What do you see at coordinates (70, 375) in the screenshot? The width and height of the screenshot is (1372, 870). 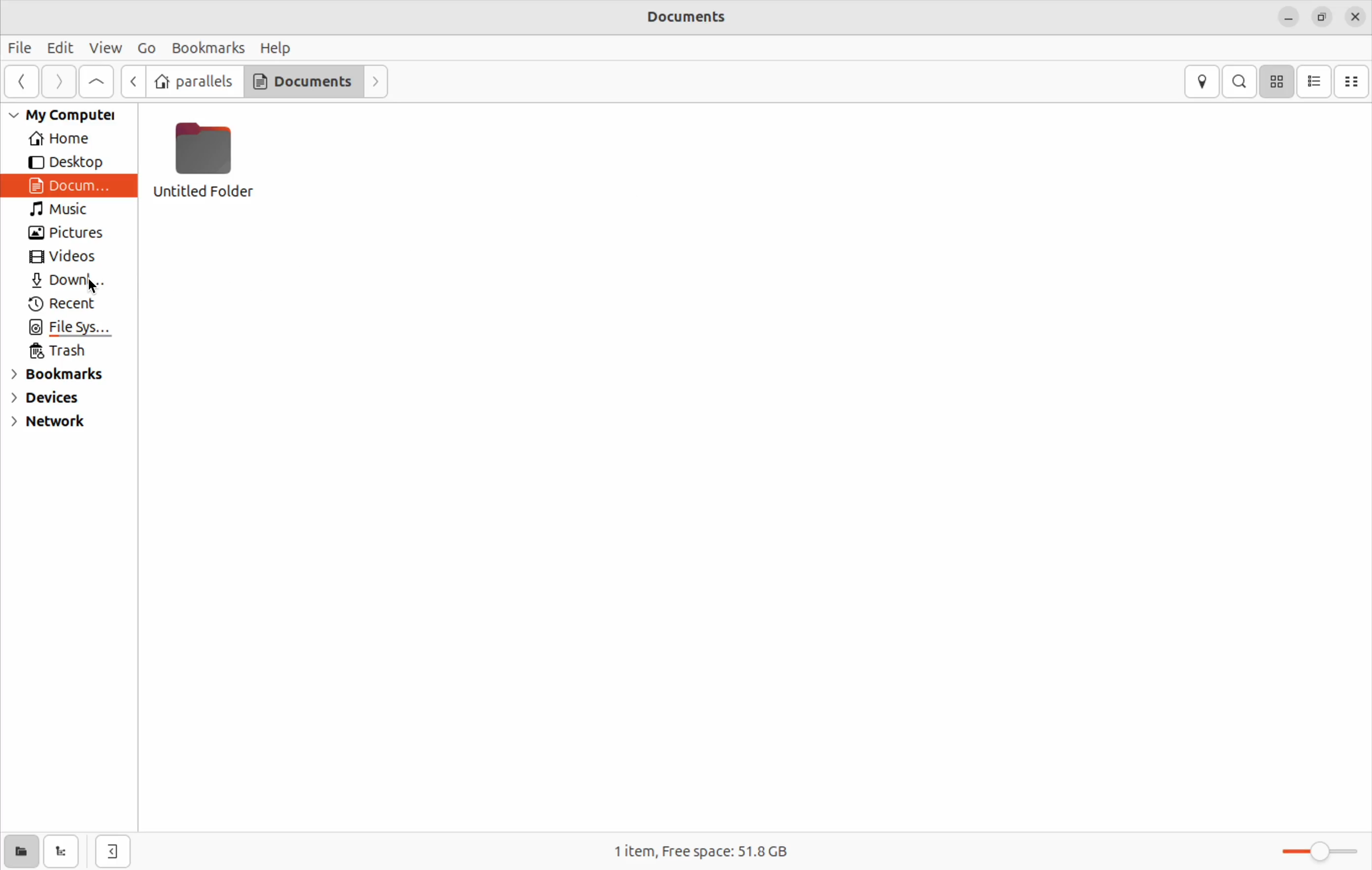 I see `bookmarks` at bounding box center [70, 375].